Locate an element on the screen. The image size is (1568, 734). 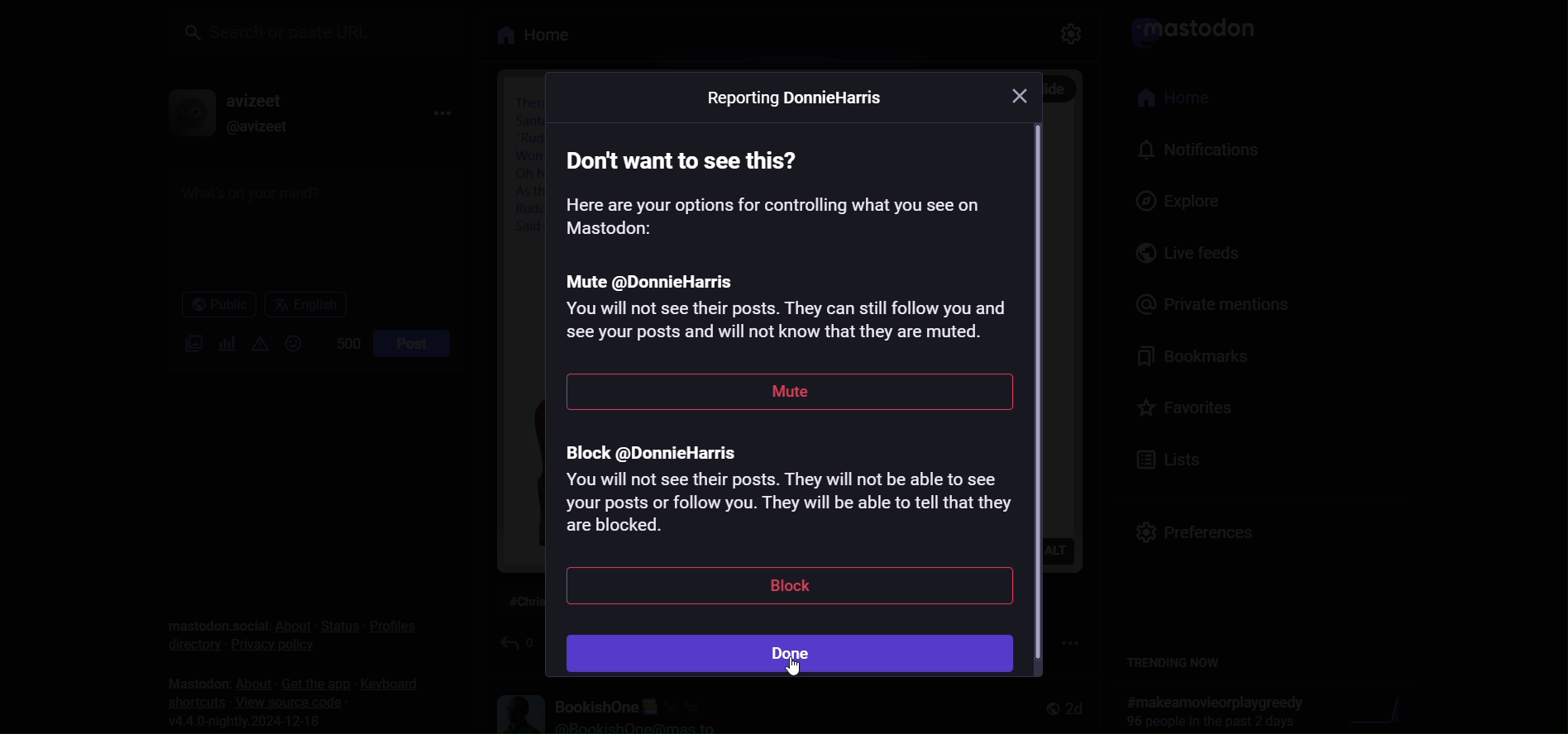
@avizeet is located at coordinates (253, 126).